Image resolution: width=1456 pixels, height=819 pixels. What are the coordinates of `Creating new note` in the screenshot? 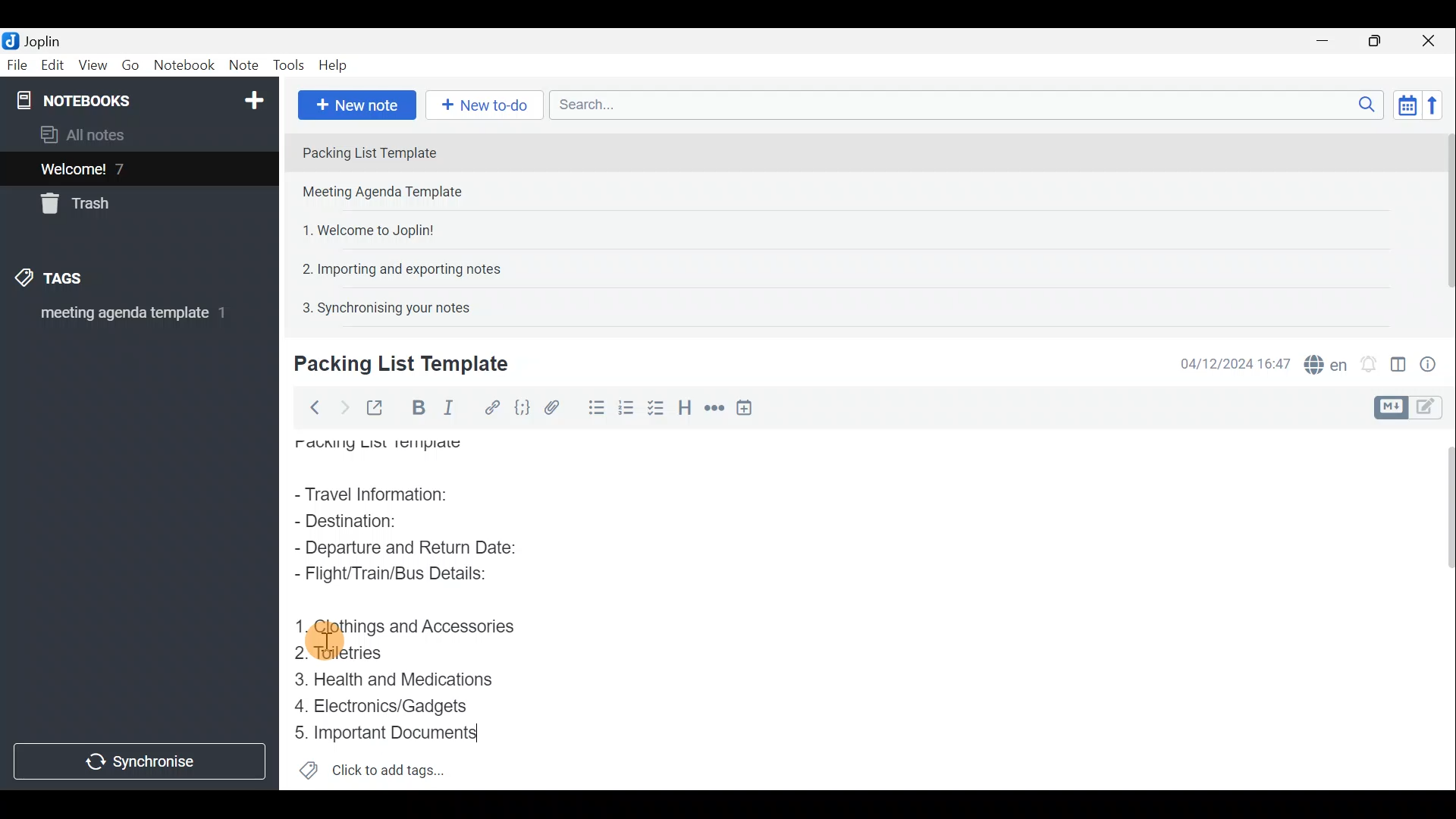 It's located at (392, 365).